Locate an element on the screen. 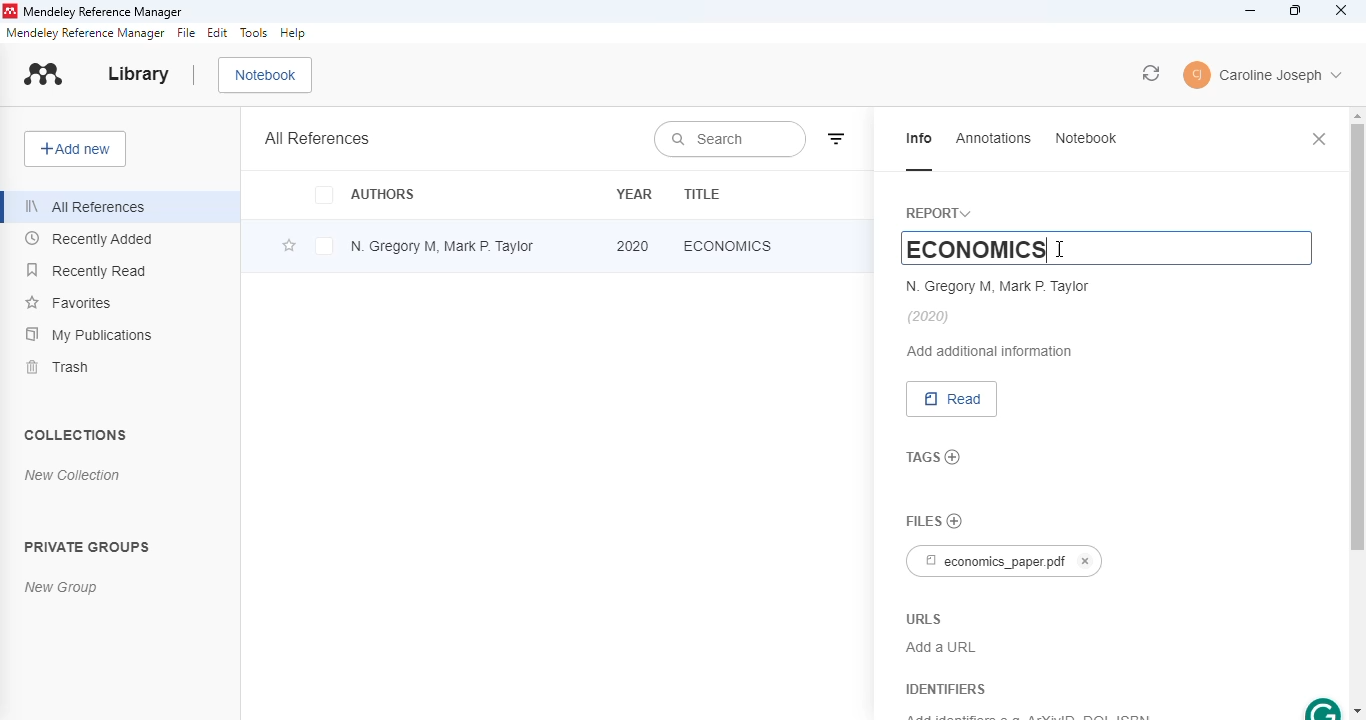 The width and height of the screenshot is (1366, 720). new collection is located at coordinates (73, 475).